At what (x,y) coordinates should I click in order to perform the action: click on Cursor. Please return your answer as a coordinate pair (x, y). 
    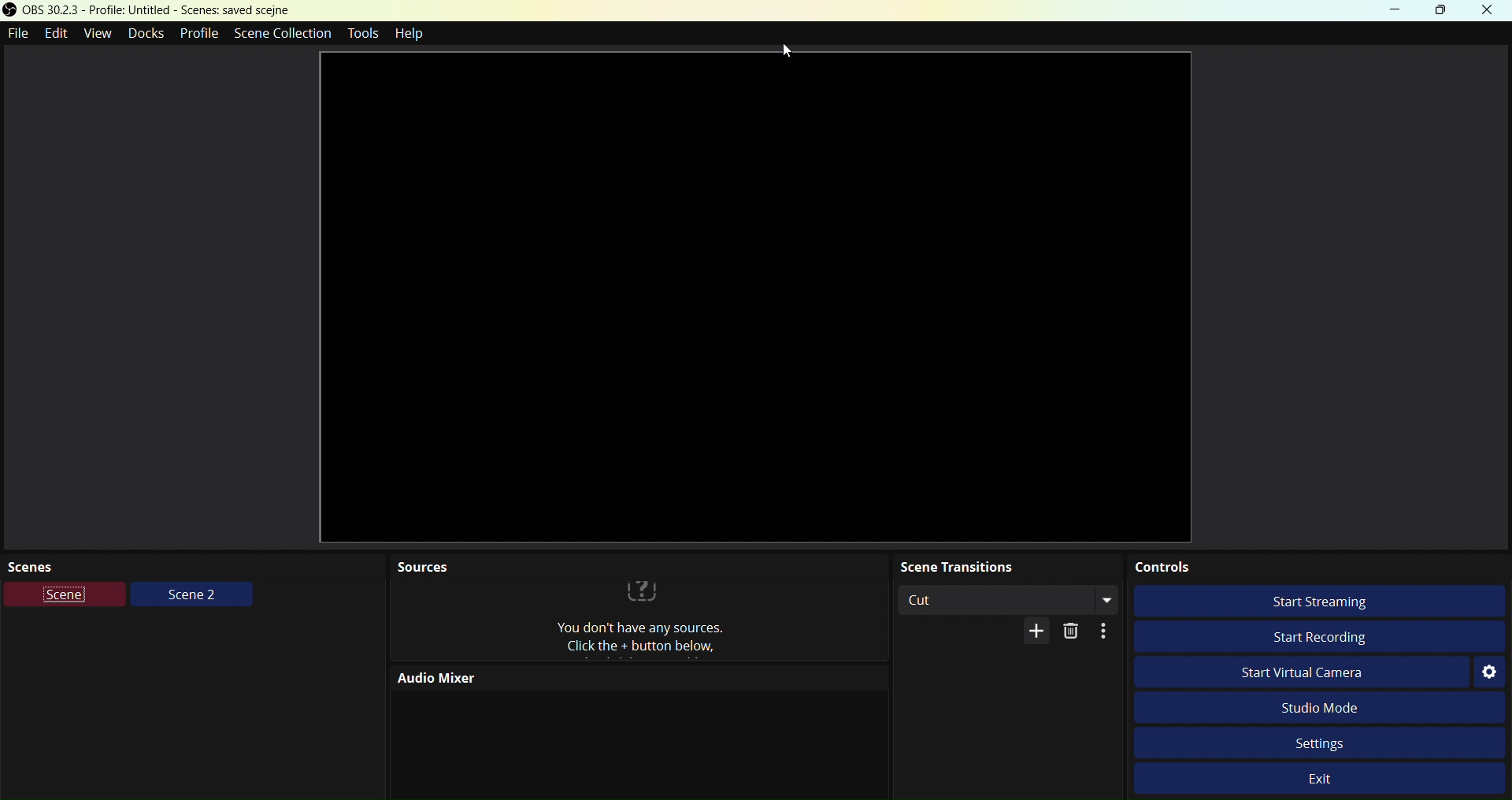
    Looking at the image, I should click on (787, 51).